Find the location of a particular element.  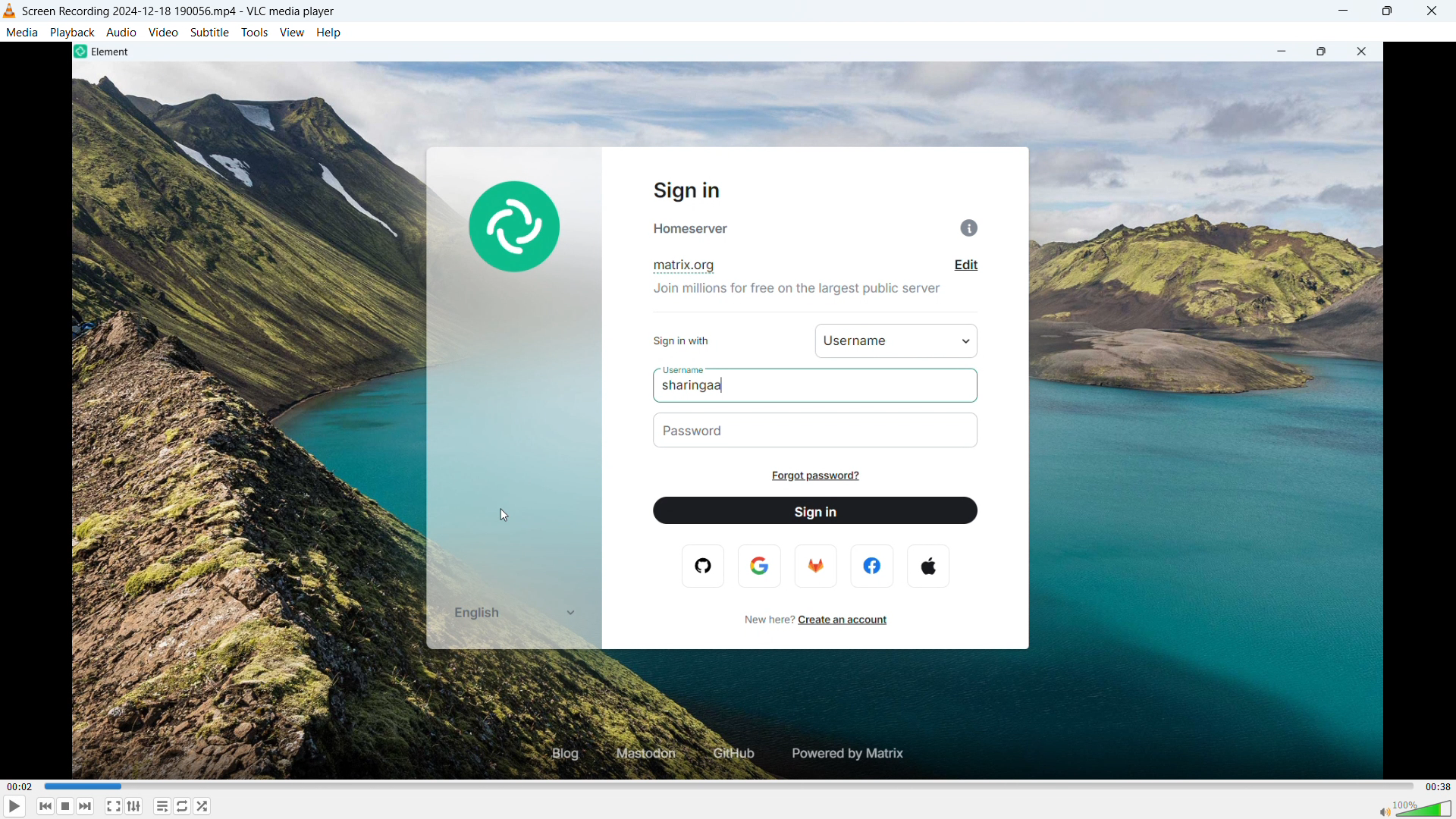

media is located at coordinates (23, 32).